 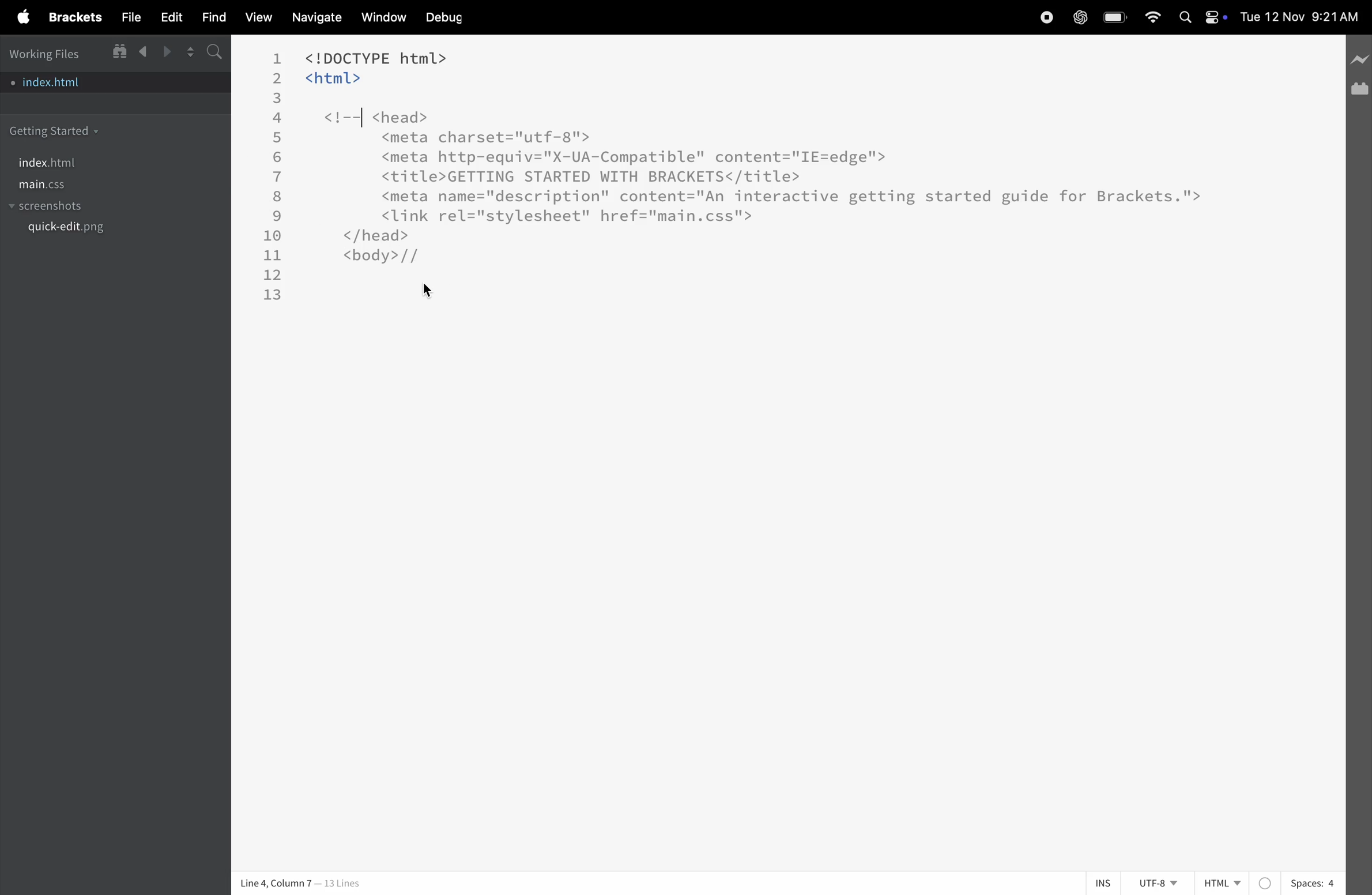 I want to click on getting started, so click(x=64, y=130).